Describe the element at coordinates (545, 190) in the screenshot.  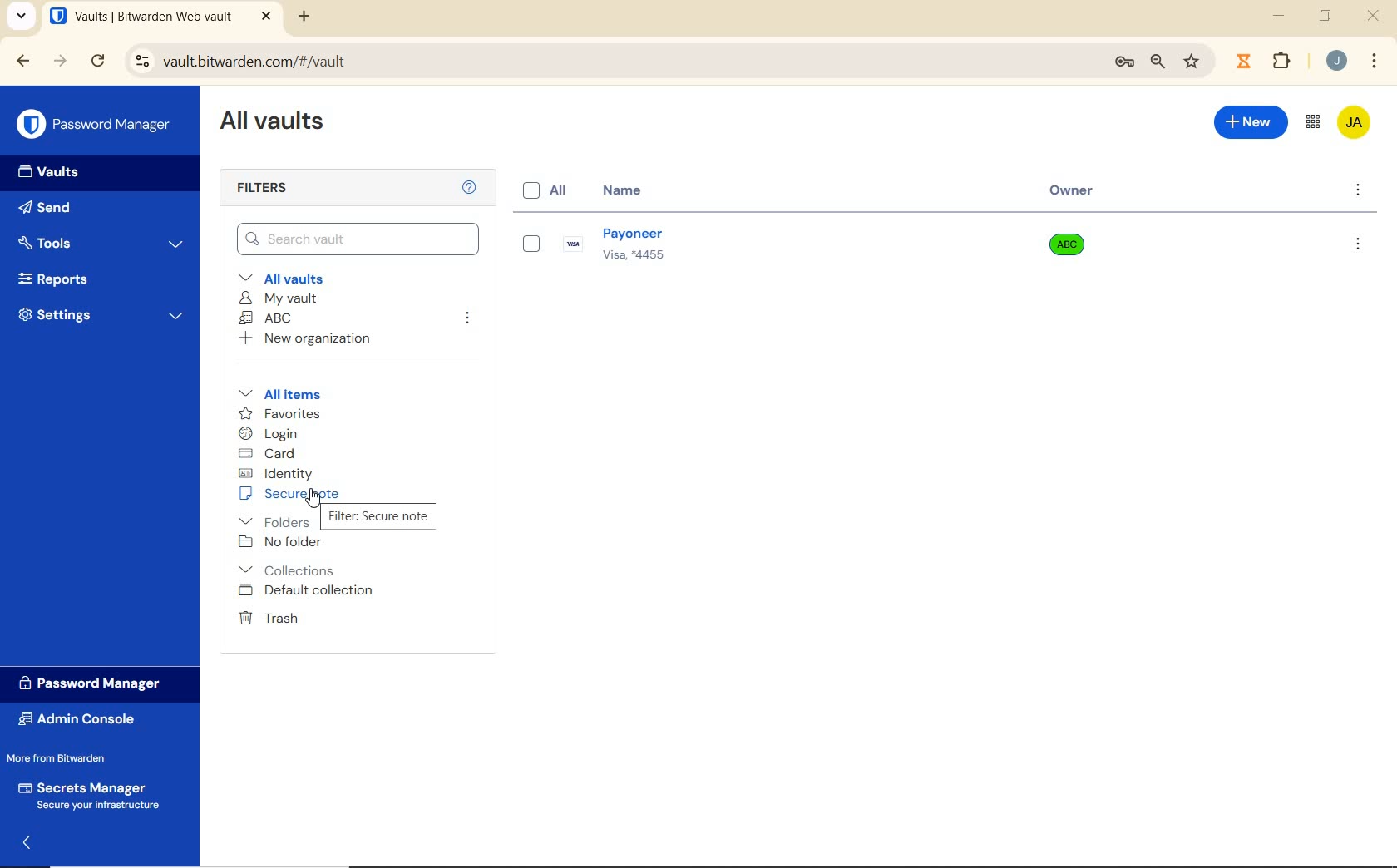
I see `All` at that location.